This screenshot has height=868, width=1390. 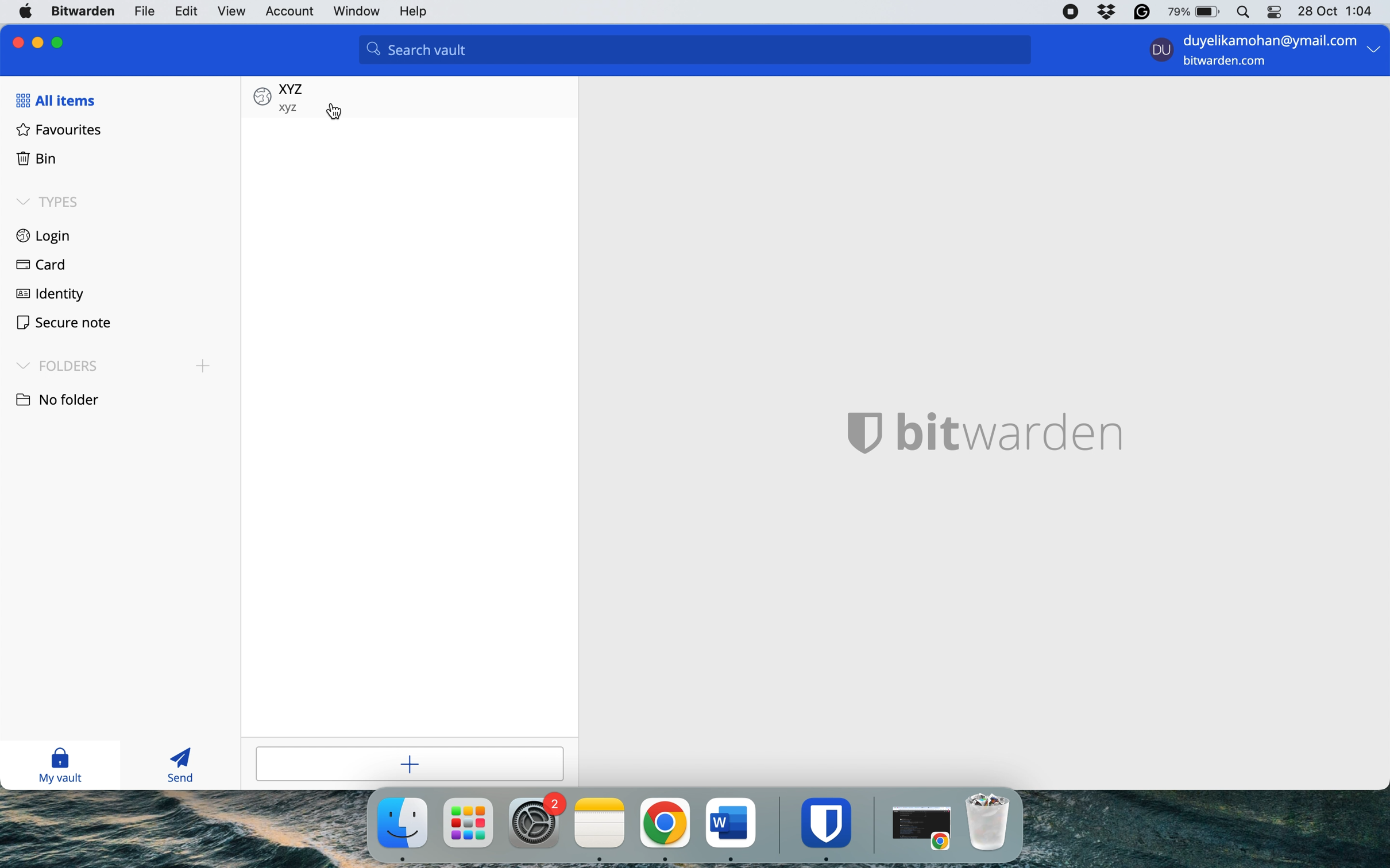 What do you see at coordinates (1272, 14) in the screenshot?
I see `control center` at bounding box center [1272, 14].